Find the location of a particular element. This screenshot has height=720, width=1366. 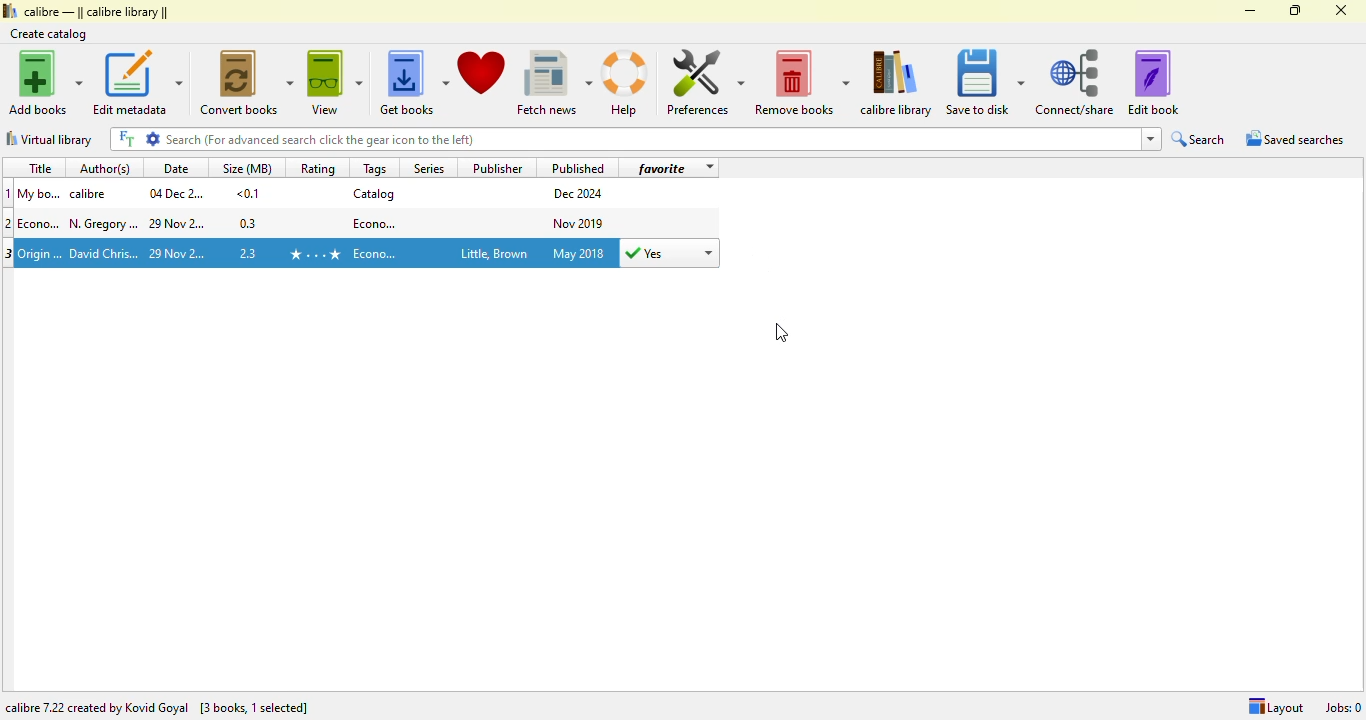

date is located at coordinates (176, 193).